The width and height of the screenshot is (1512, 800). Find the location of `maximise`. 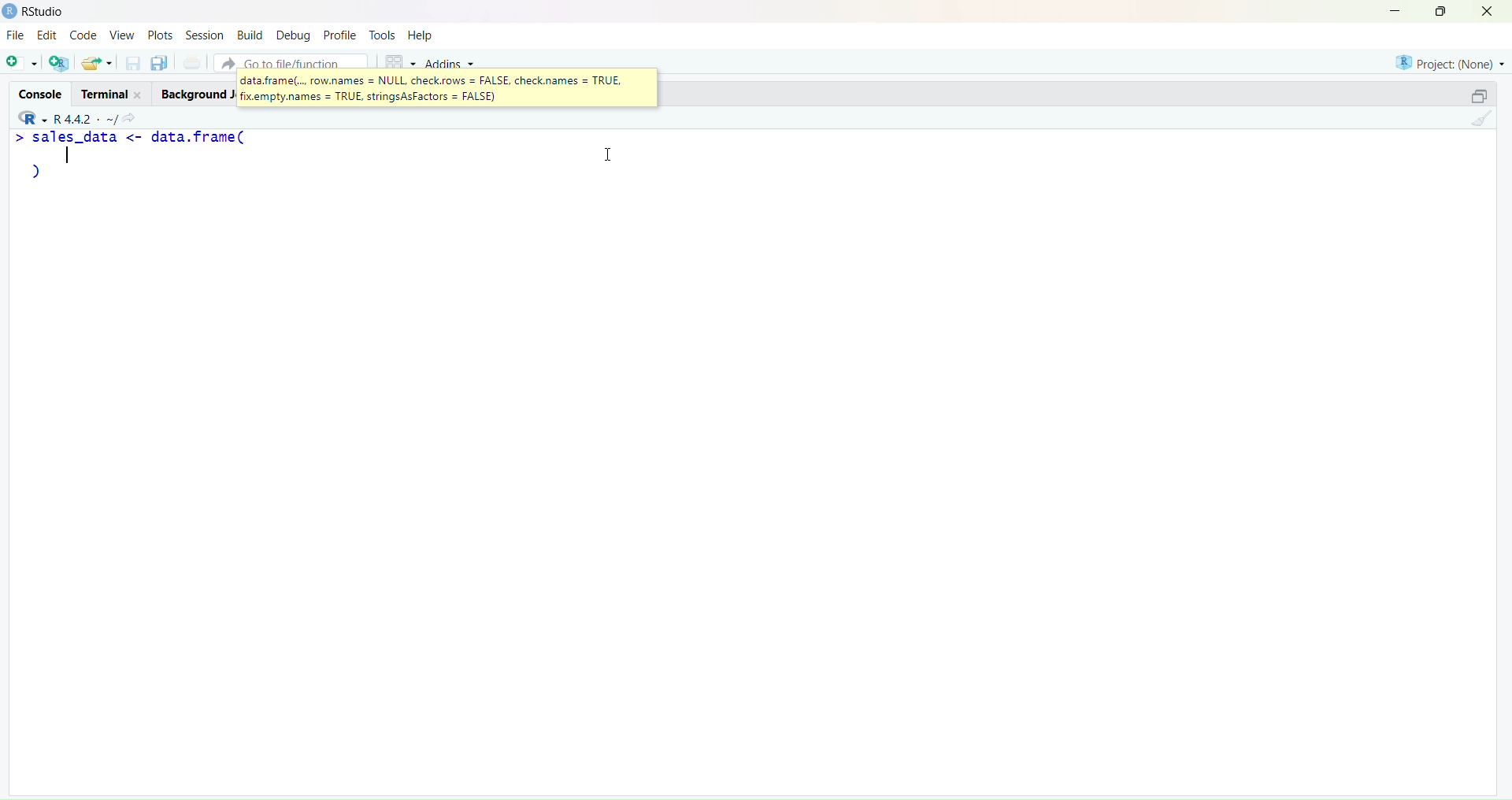

maximise is located at coordinates (1444, 11).